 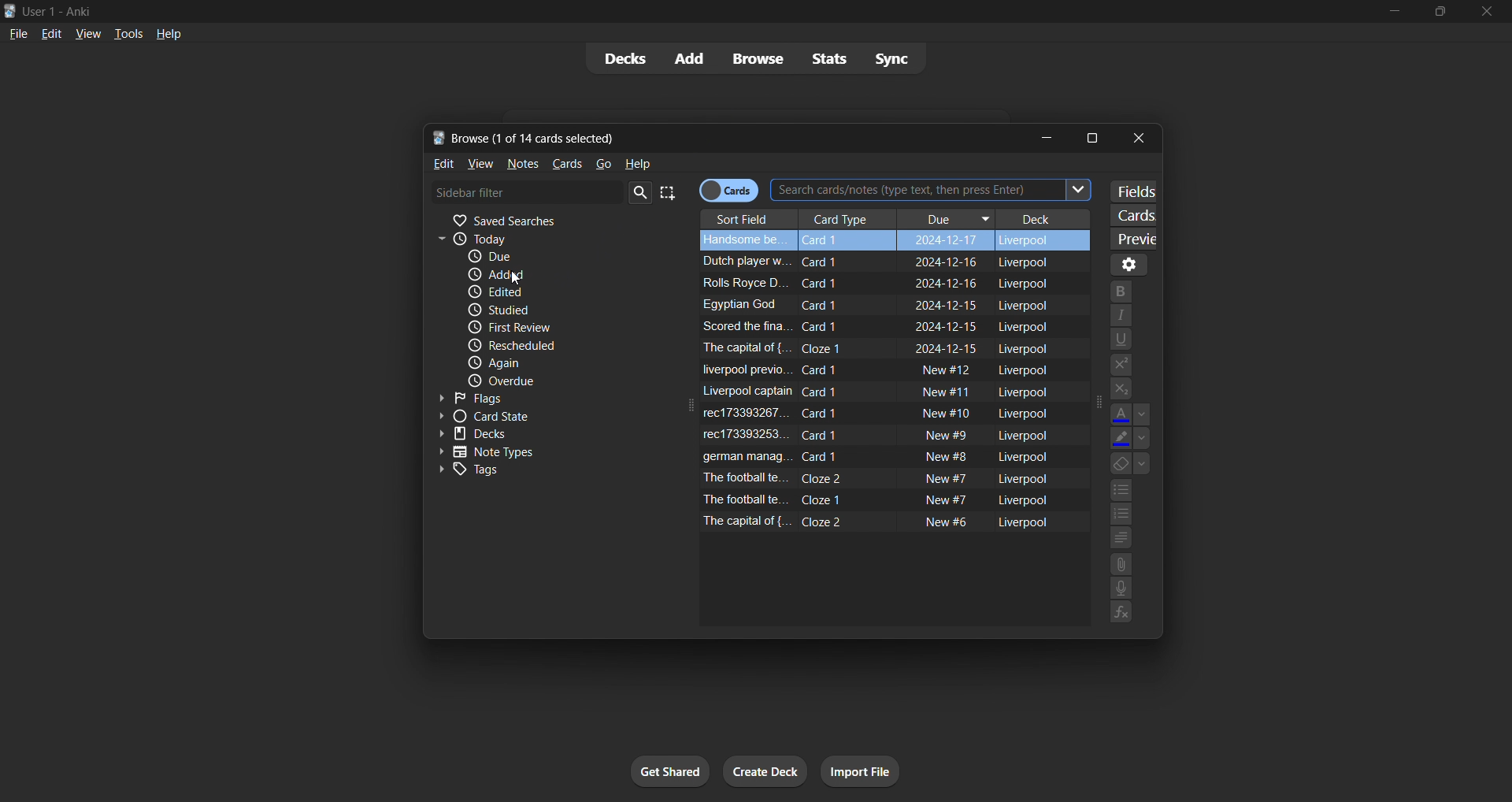 What do you see at coordinates (638, 162) in the screenshot?
I see `help` at bounding box center [638, 162].